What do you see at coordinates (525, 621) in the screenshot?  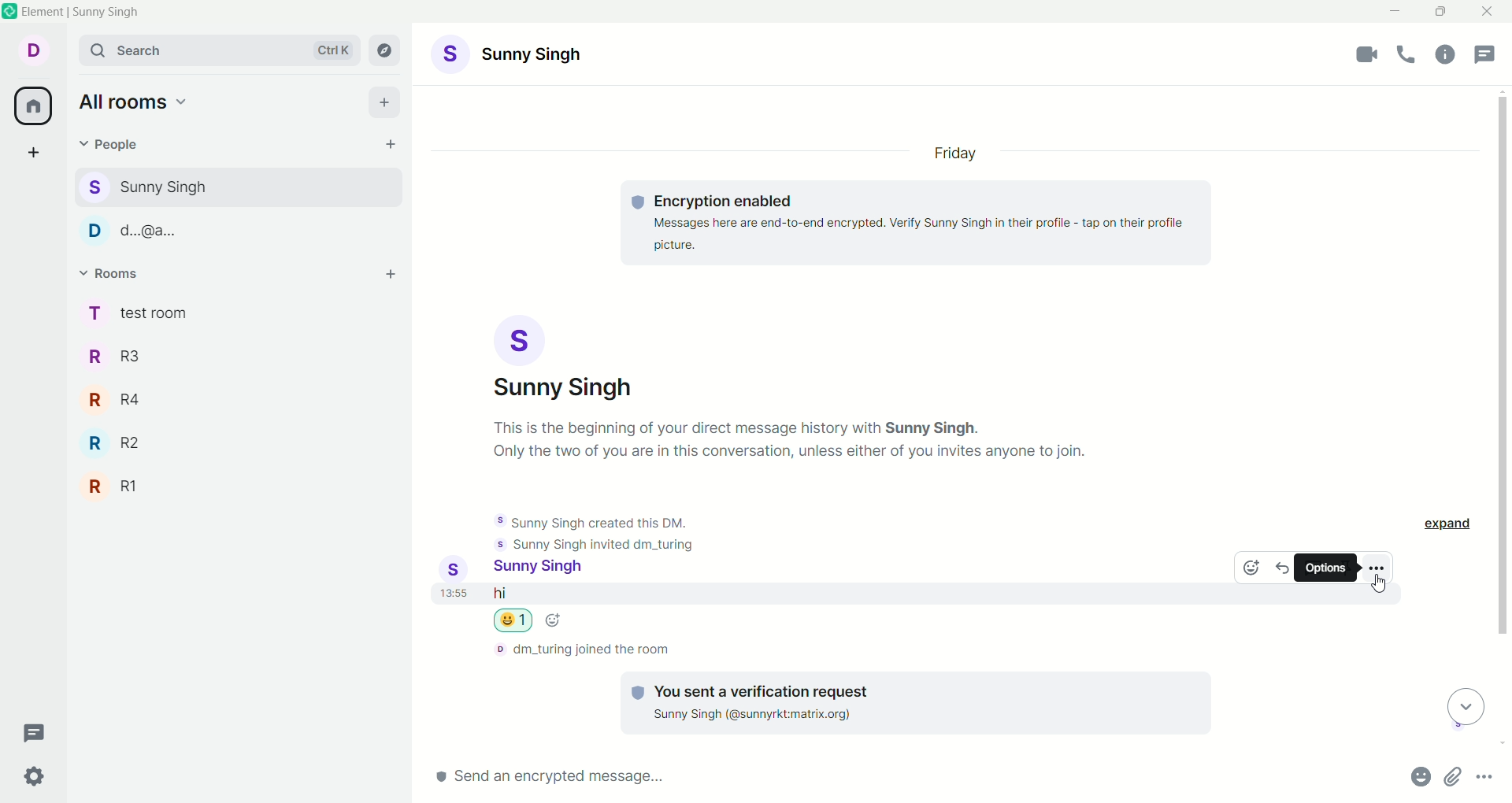 I see `emoji` at bounding box center [525, 621].